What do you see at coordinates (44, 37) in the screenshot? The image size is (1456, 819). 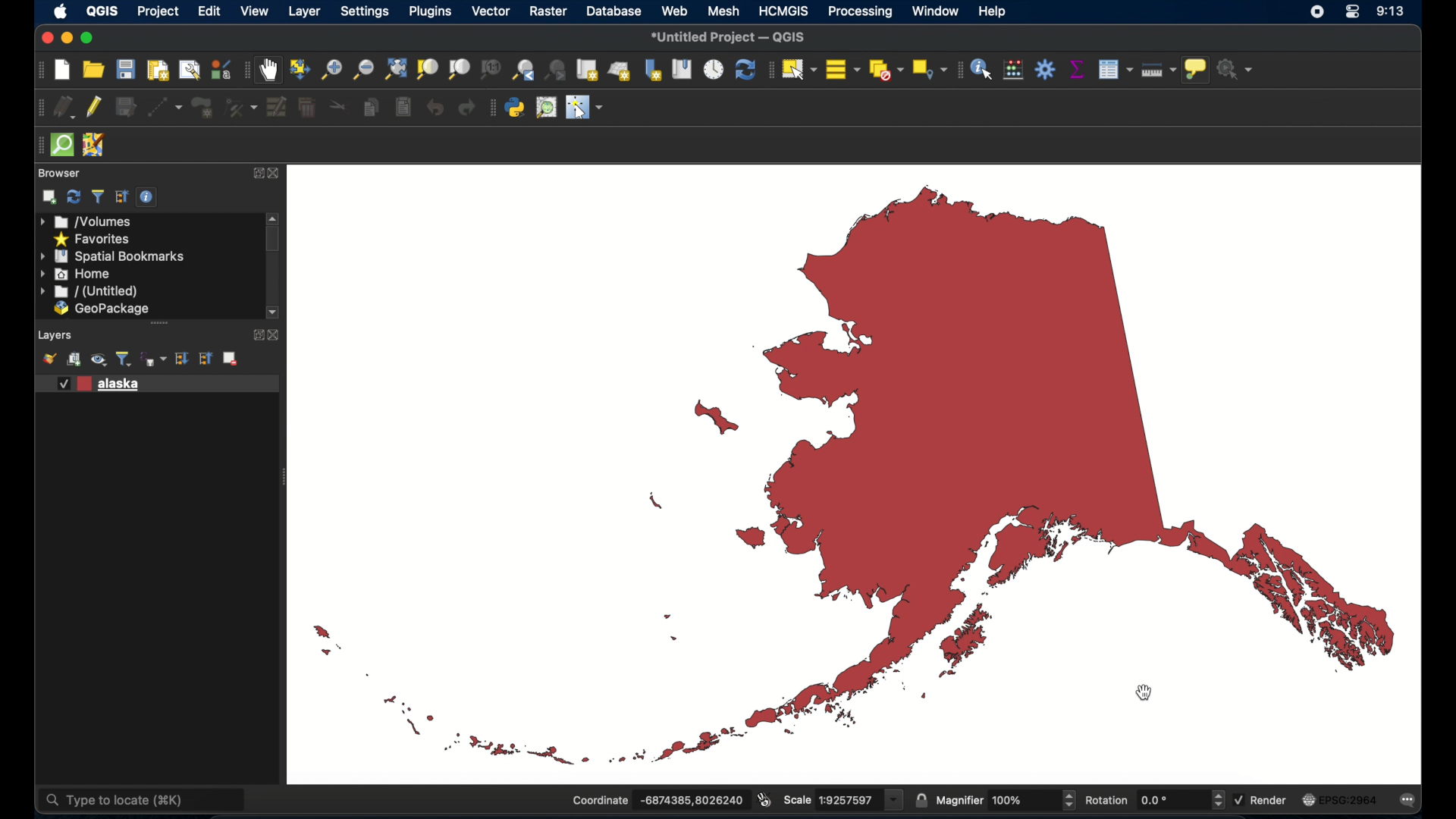 I see `close` at bounding box center [44, 37].